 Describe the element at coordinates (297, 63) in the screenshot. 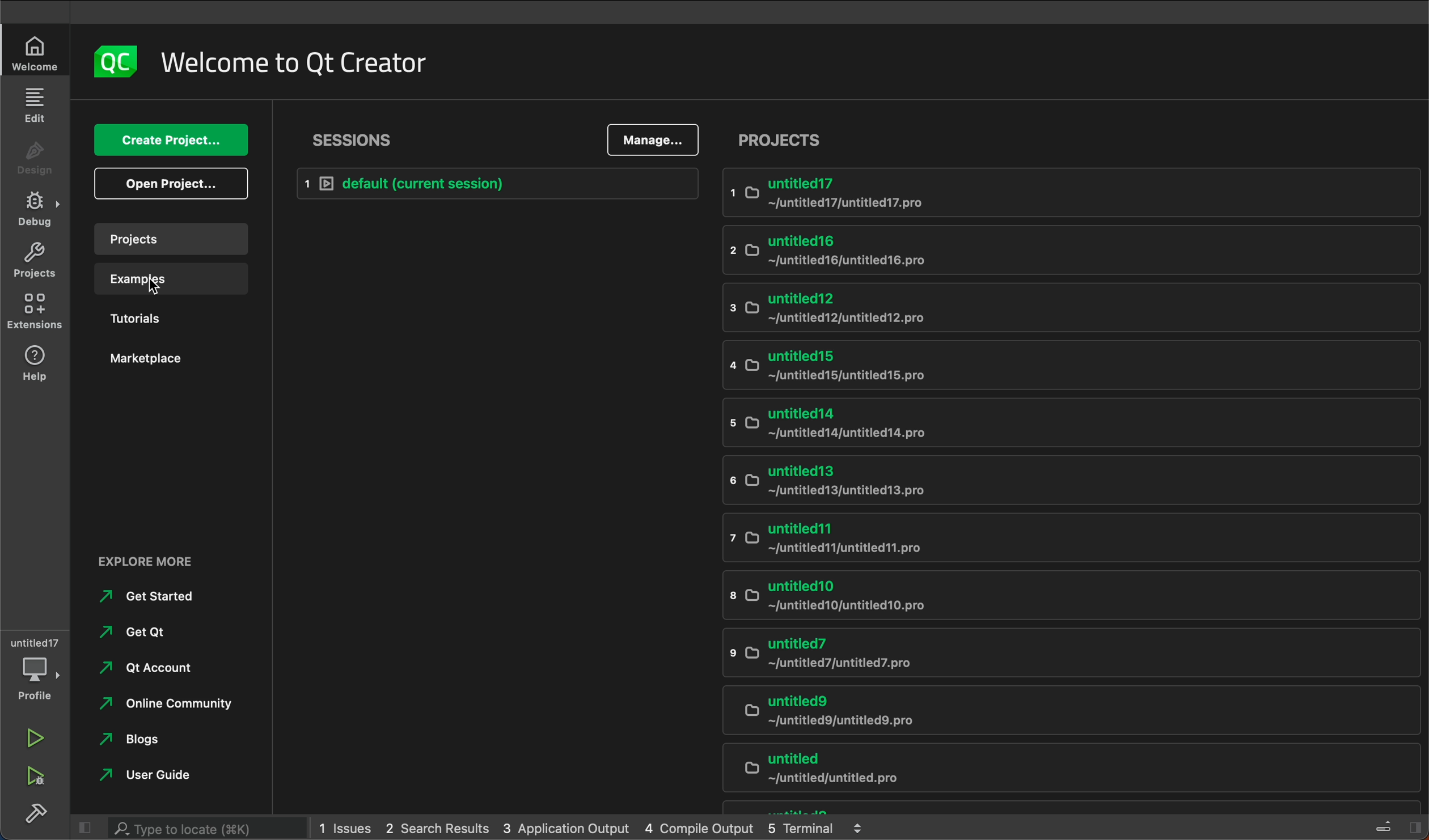

I see `welocme to Qt` at that location.